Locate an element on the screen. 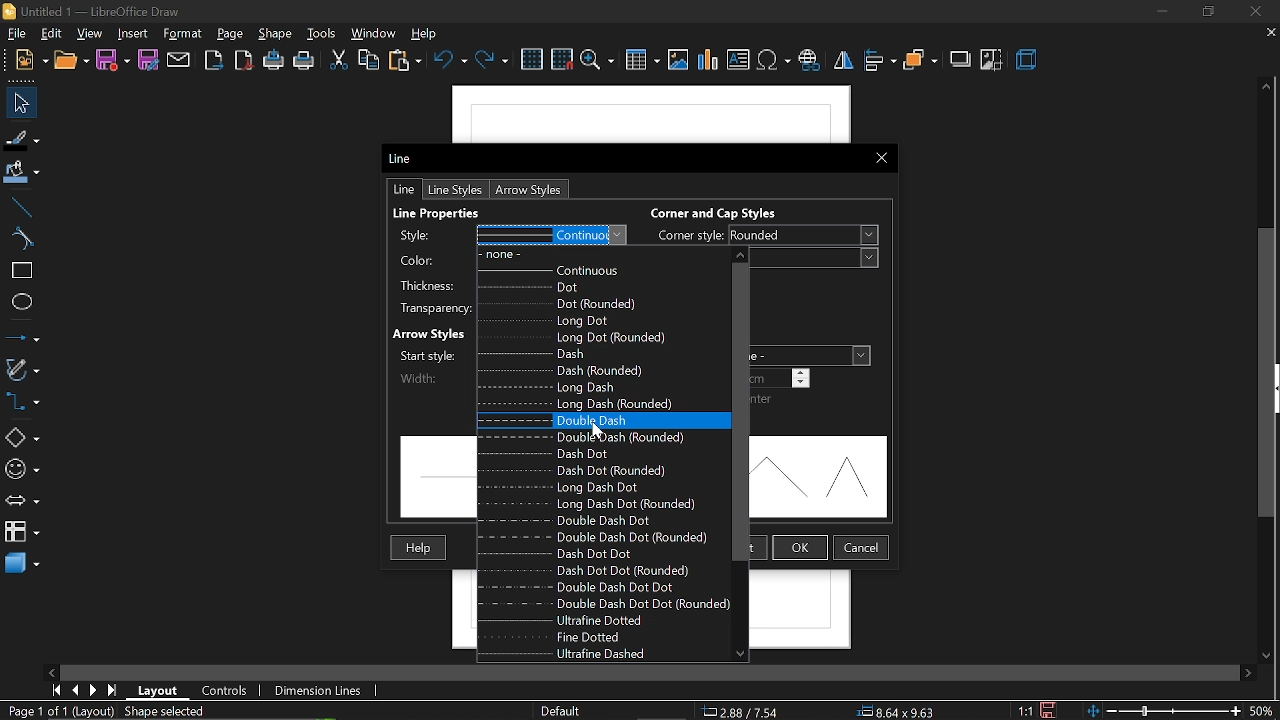 The image size is (1280, 720). crop is located at coordinates (991, 59).